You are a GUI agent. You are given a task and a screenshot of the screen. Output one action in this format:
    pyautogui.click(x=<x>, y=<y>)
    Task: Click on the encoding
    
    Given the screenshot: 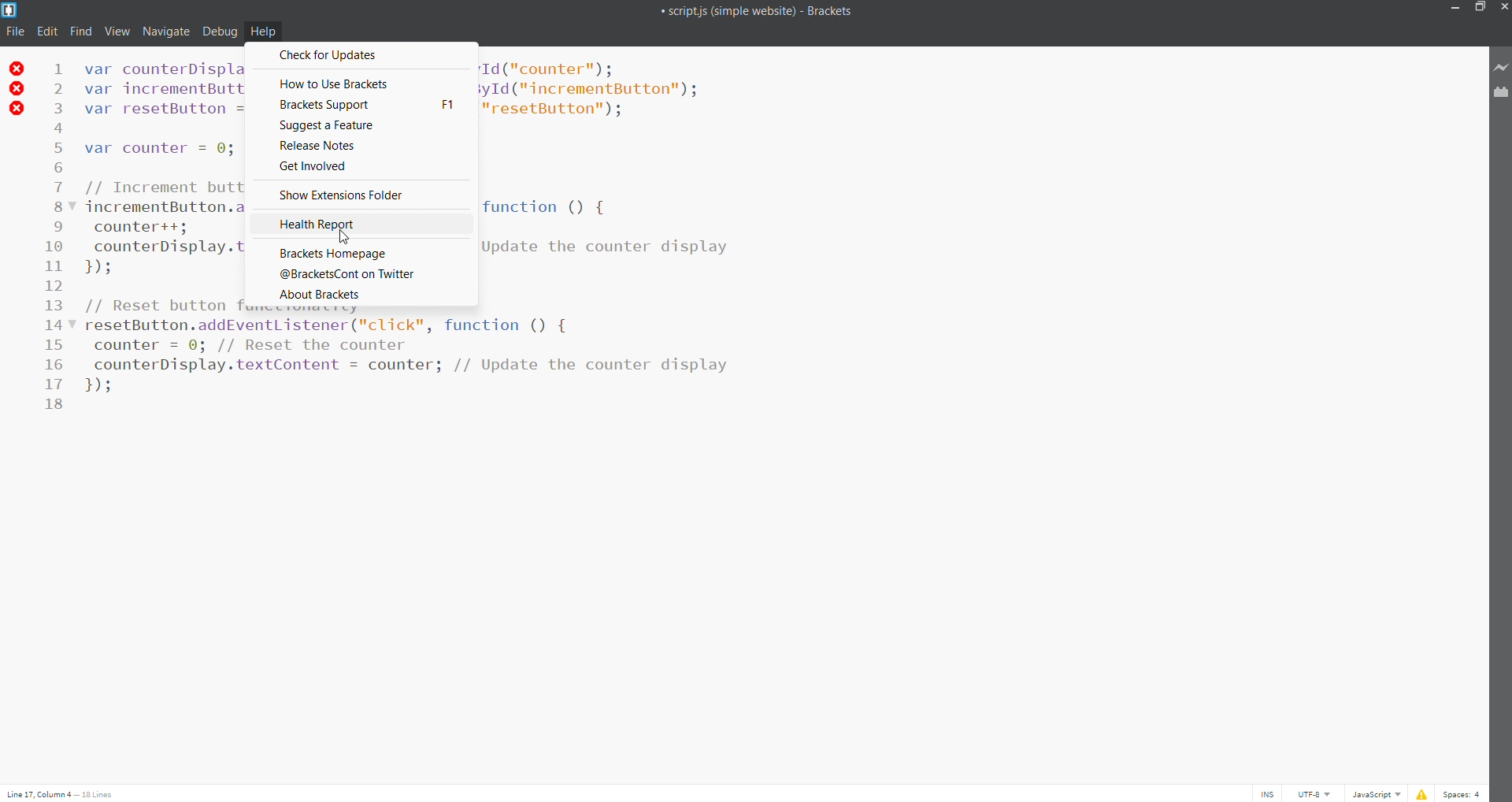 What is the action you would take?
    pyautogui.click(x=1310, y=793)
    